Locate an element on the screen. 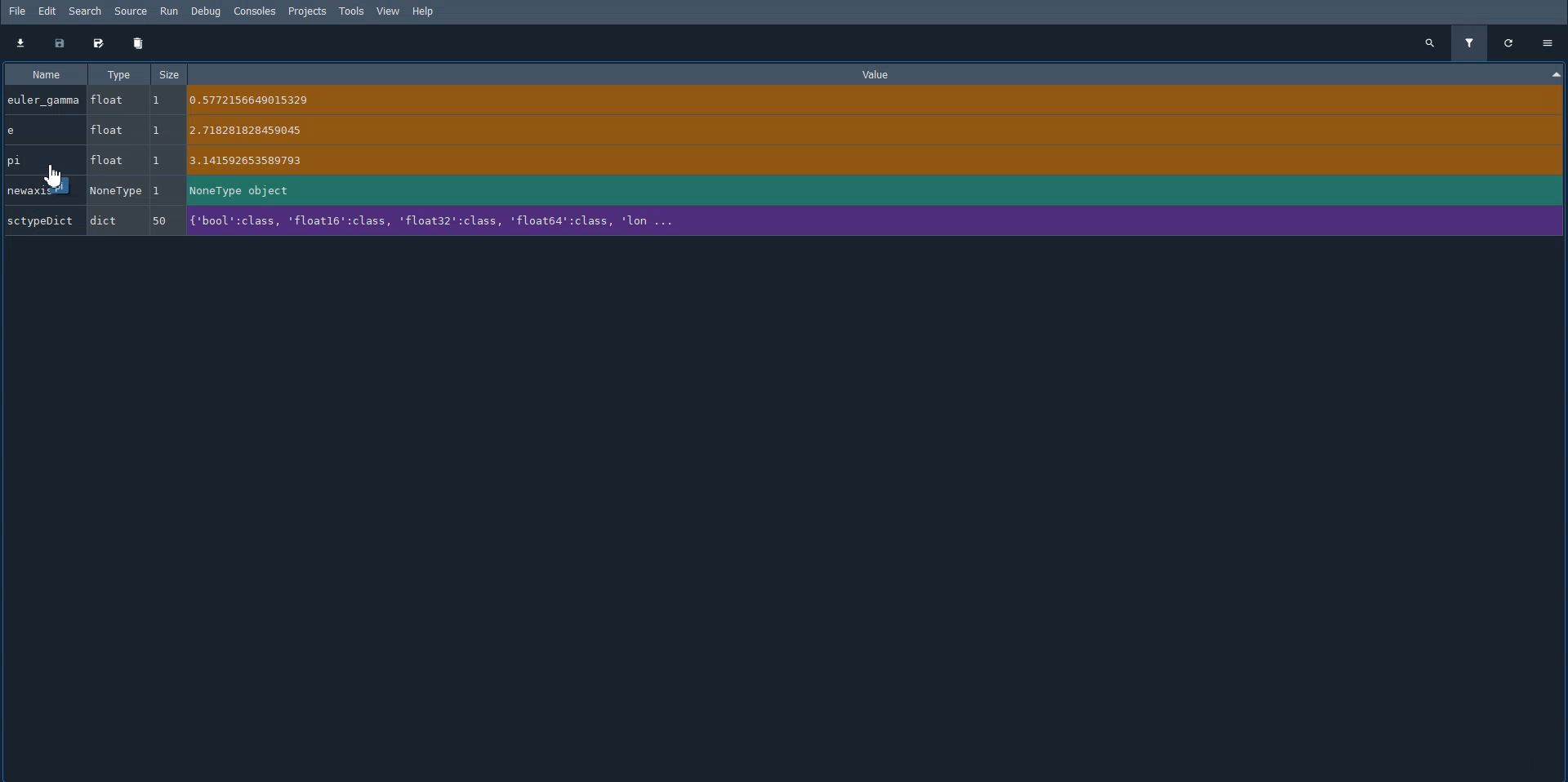 This screenshot has height=782, width=1568. Save data is located at coordinates (60, 44).